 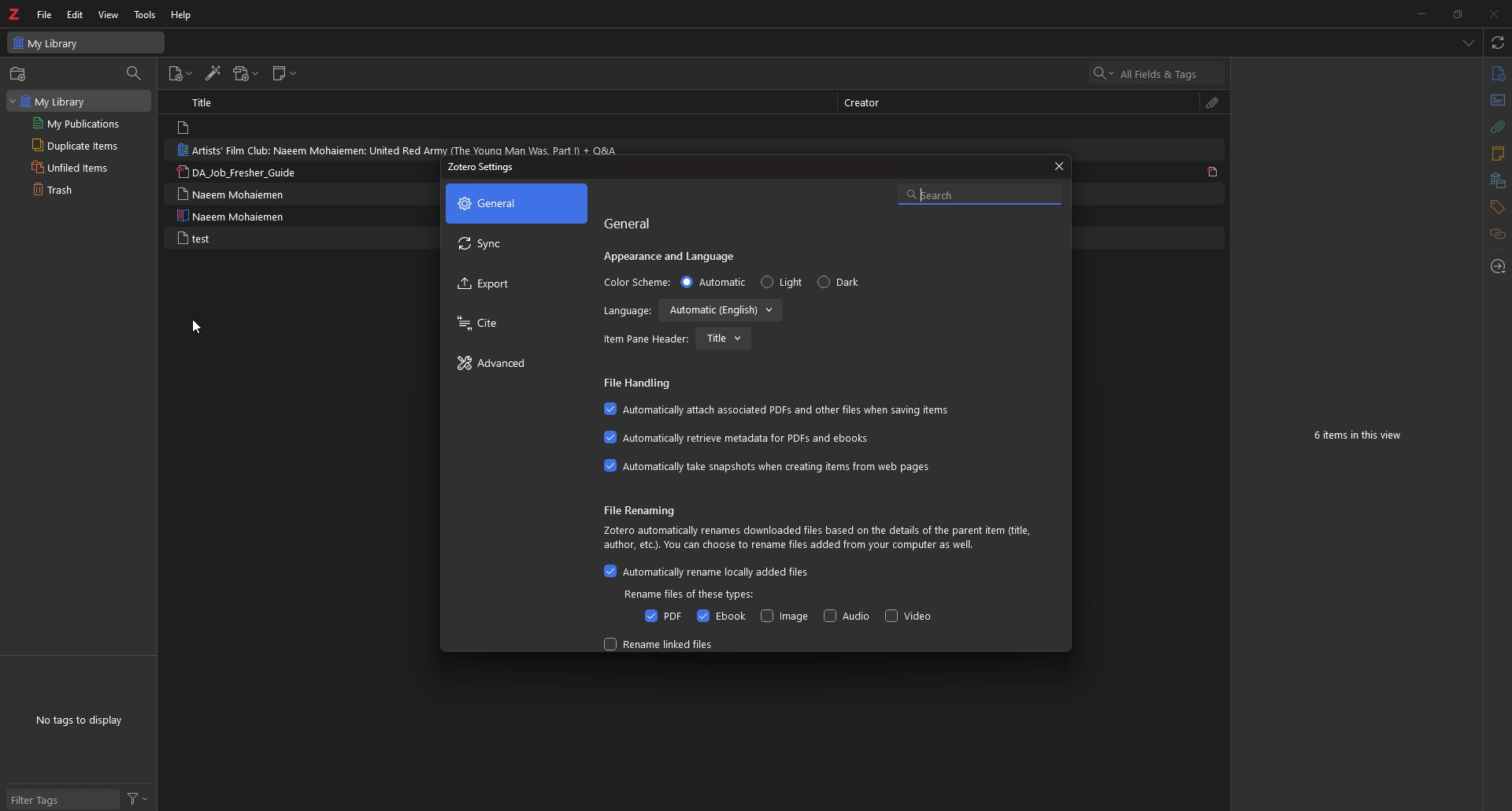 I want to click on help, so click(x=183, y=15).